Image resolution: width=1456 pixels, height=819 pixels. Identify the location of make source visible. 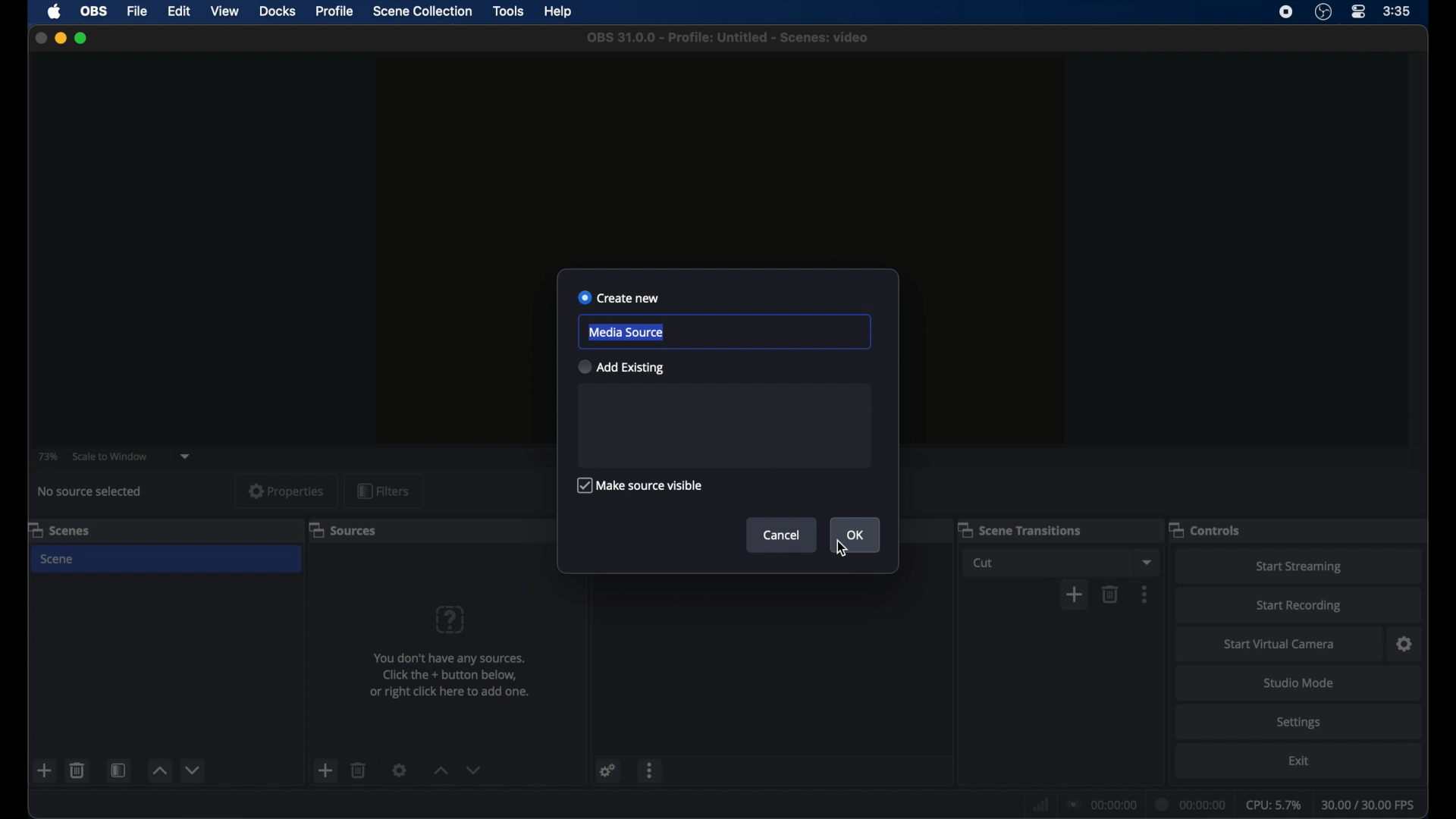
(642, 485).